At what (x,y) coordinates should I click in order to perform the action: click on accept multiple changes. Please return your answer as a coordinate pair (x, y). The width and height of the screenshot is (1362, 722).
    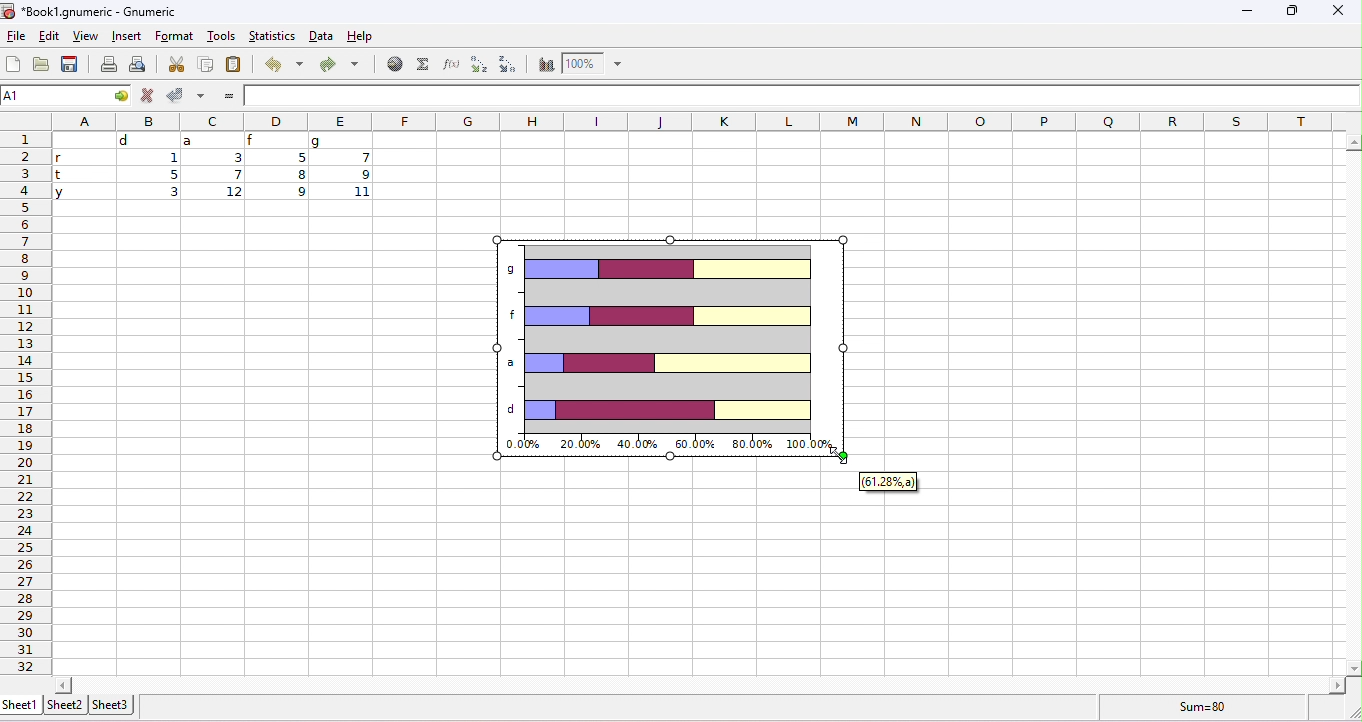
    Looking at the image, I should click on (202, 95).